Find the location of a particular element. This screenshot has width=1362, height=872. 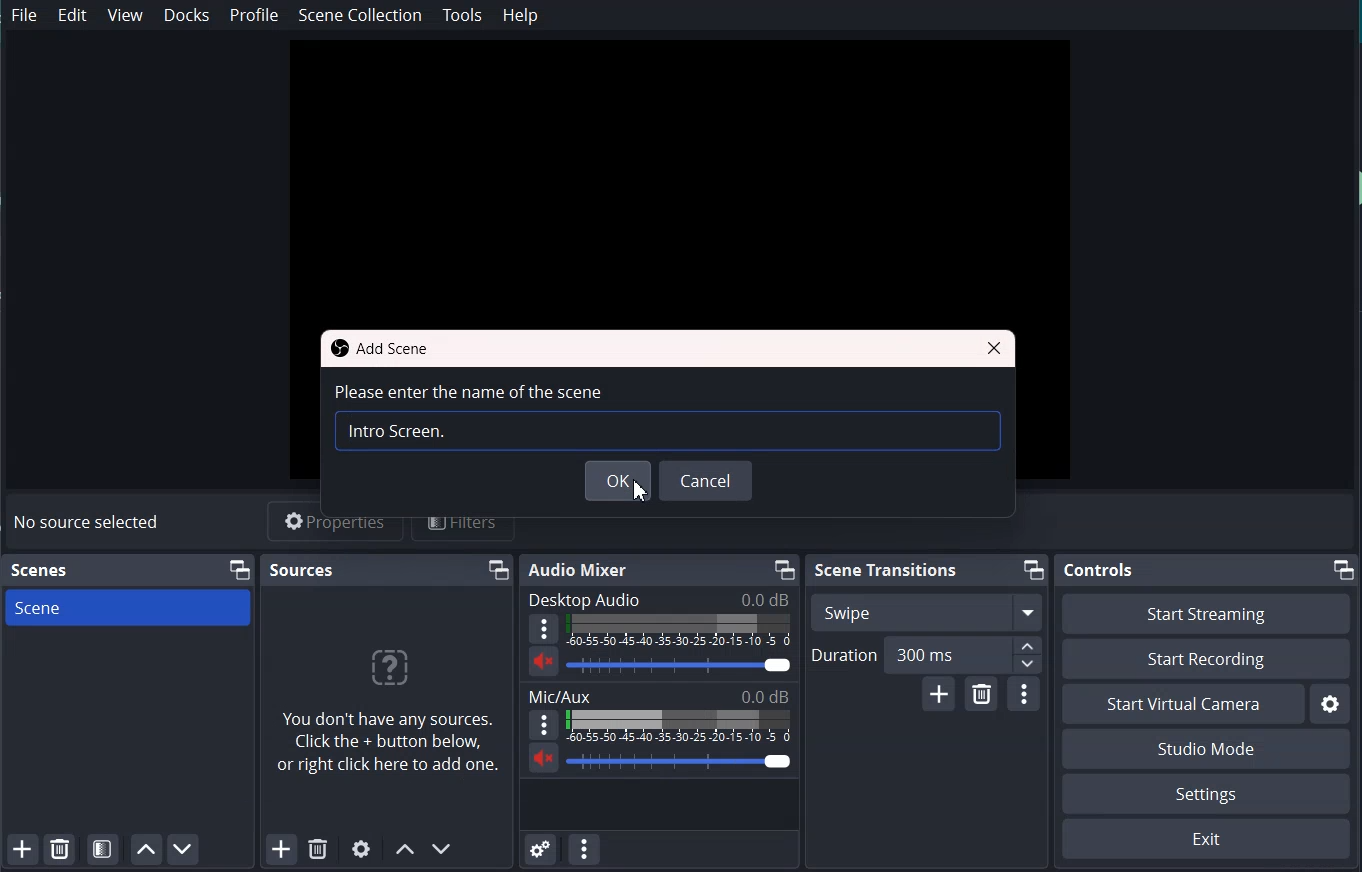

Edit is located at coordinates (74, 15).